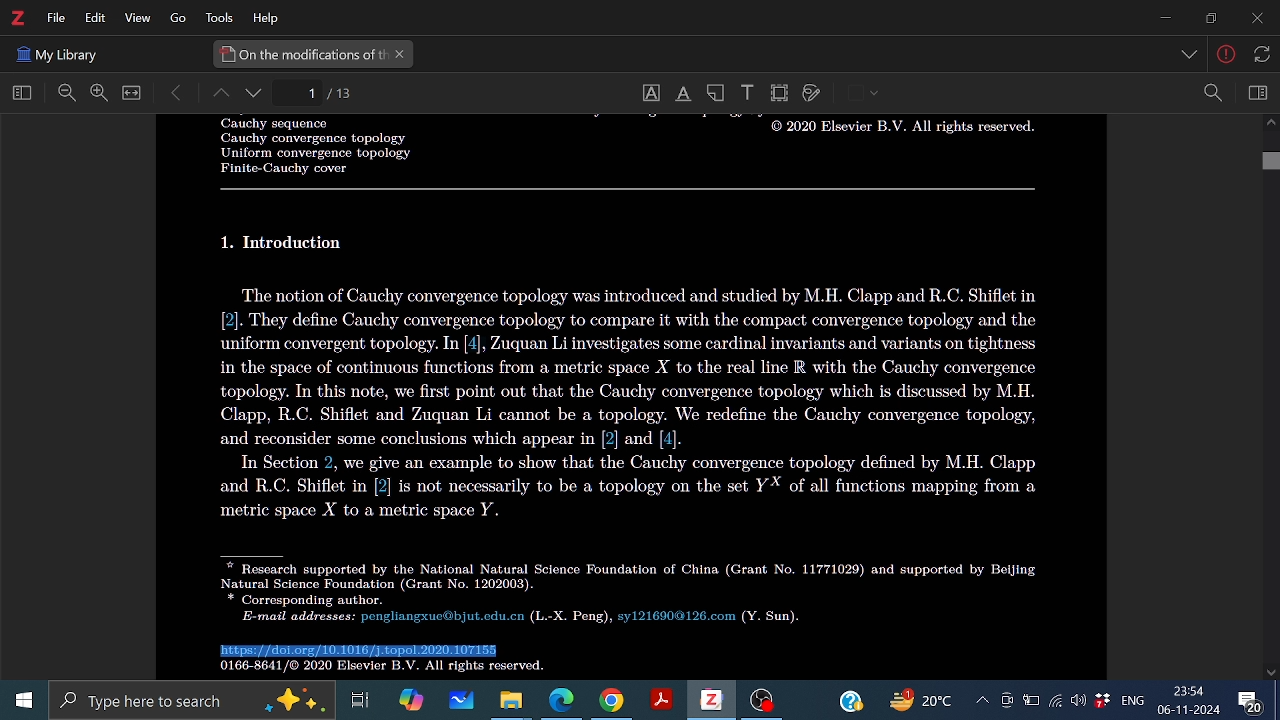  Describe the element at coordinates (177, 93) in the screenshot. I see `Move back` at that location.